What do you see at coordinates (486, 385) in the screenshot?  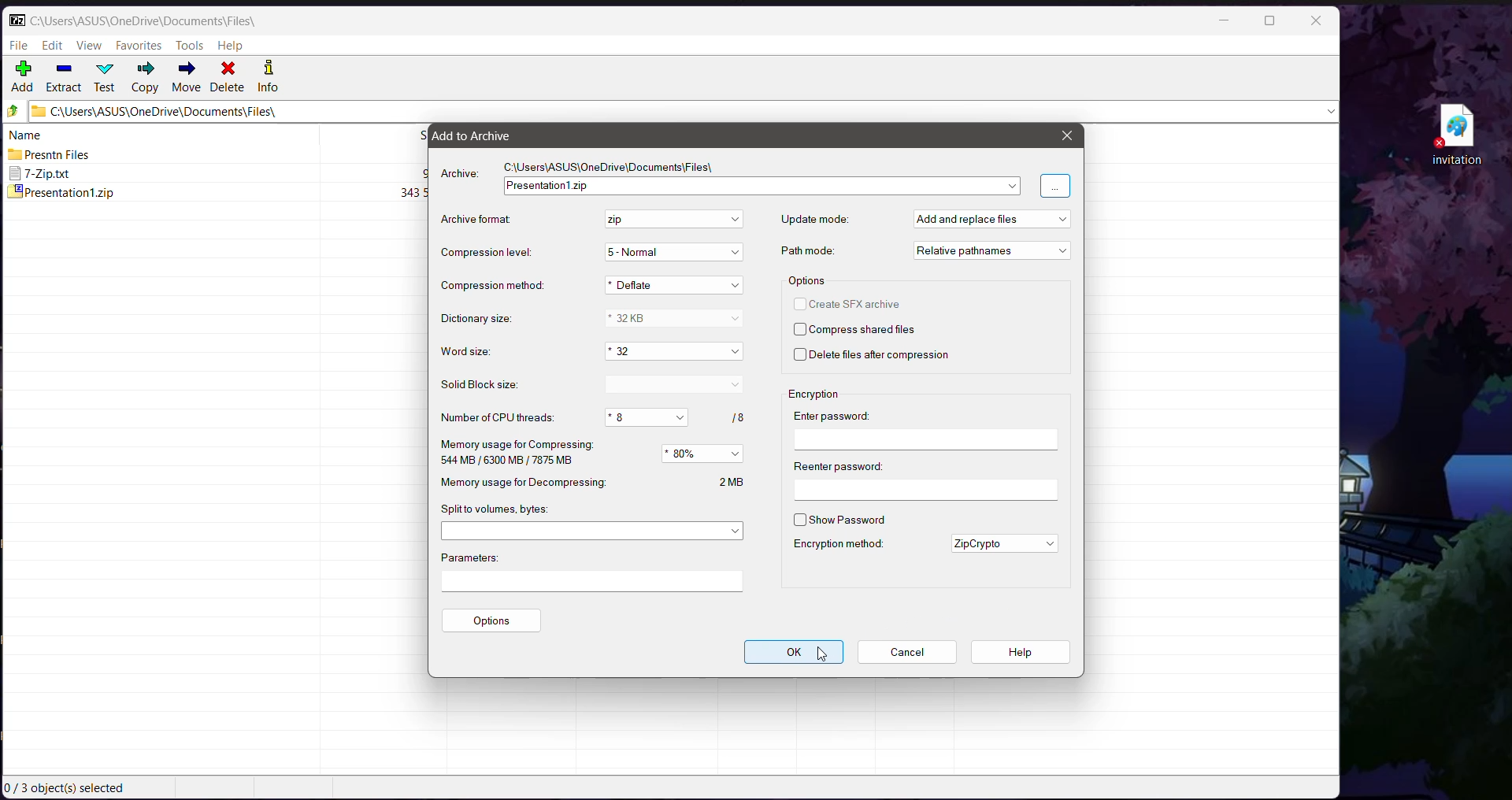 I see `Solid Block Size` at bounding box center [486, 385].